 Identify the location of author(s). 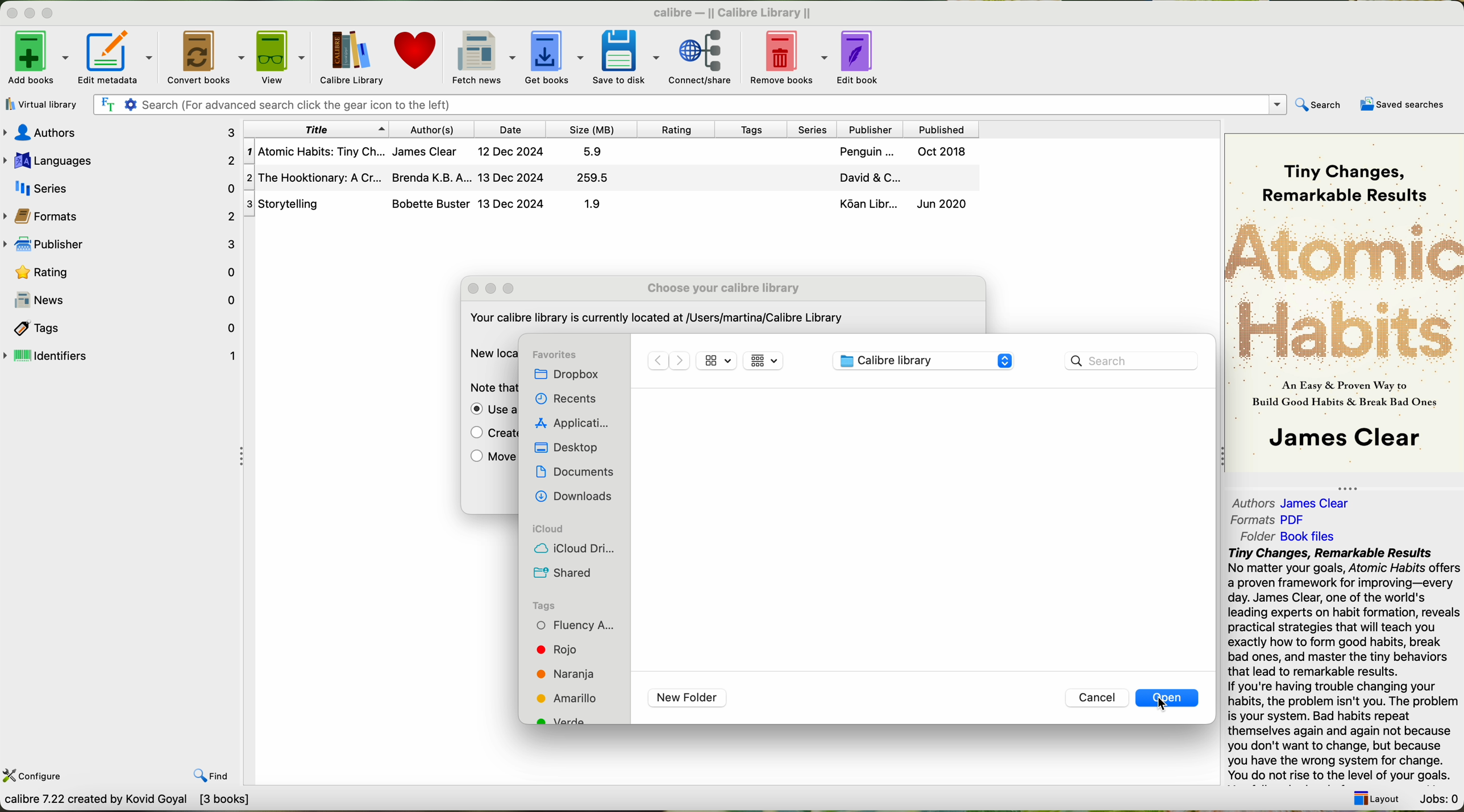
(432, 130).